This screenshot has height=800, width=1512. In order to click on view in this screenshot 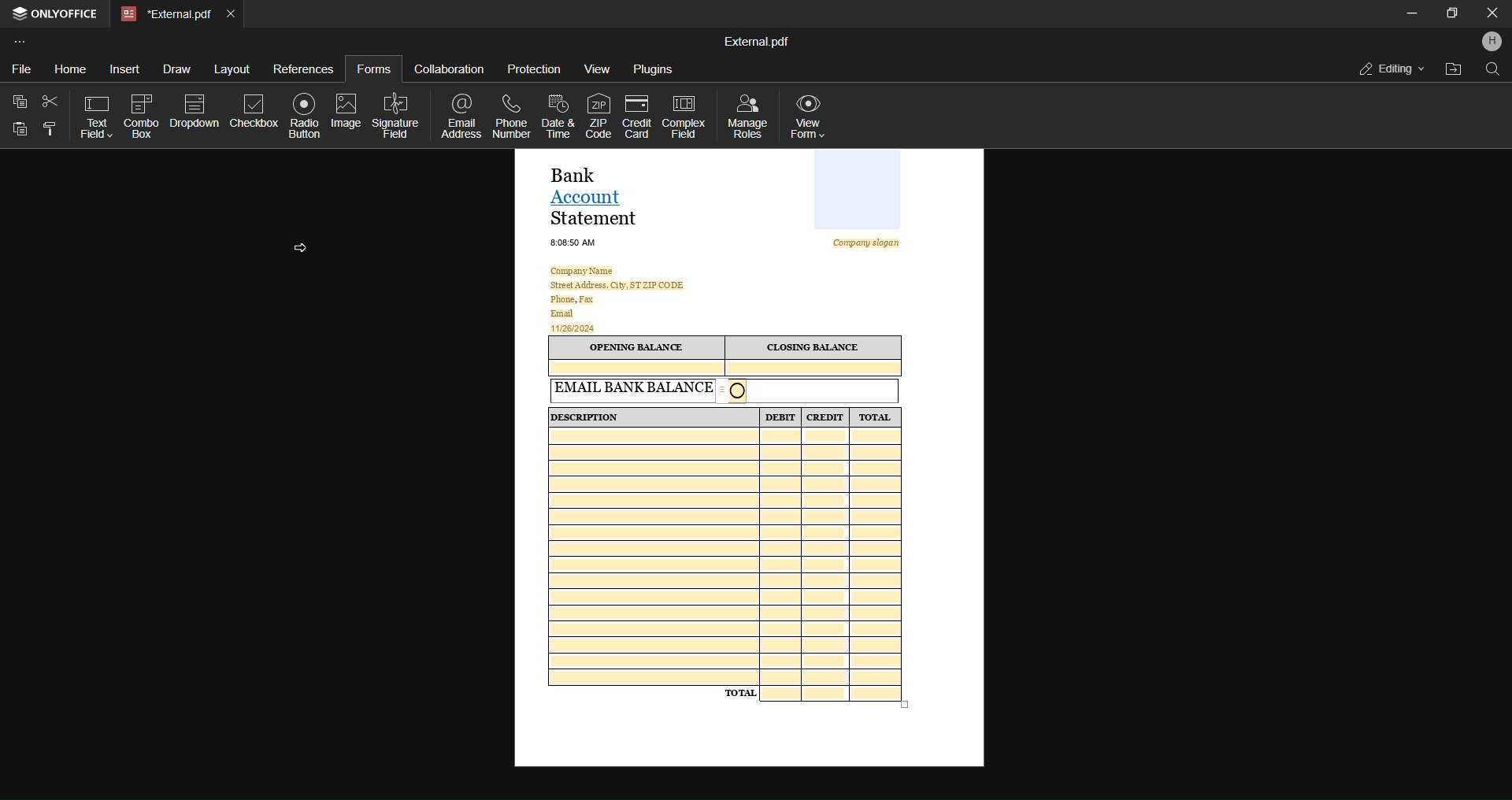, I will do `click(595, 69)`.